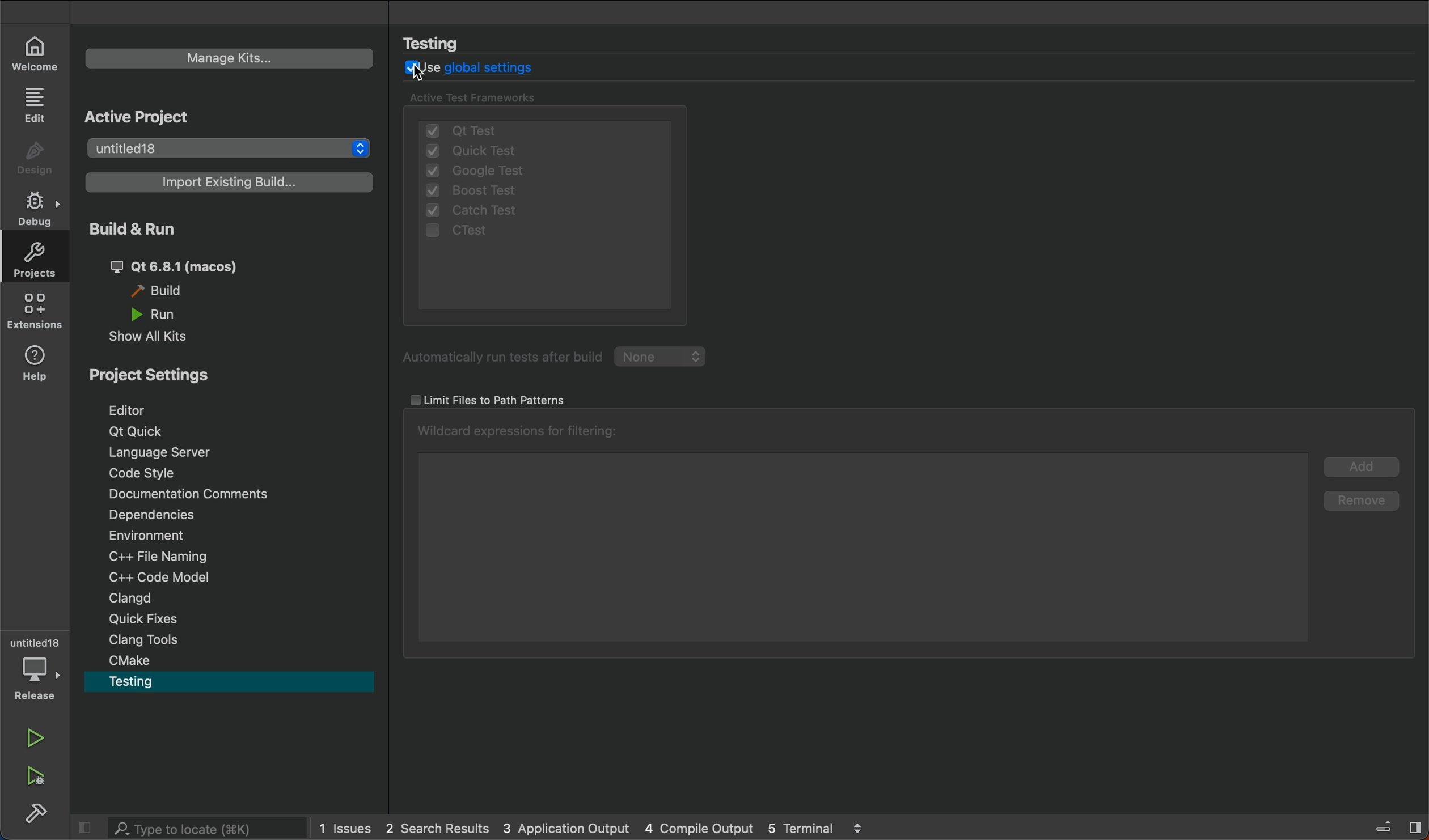 This screenshot has width=1429, height=840. Describe the element at coordinates (231, 146) in the screenshot. I see `select project` at that location.